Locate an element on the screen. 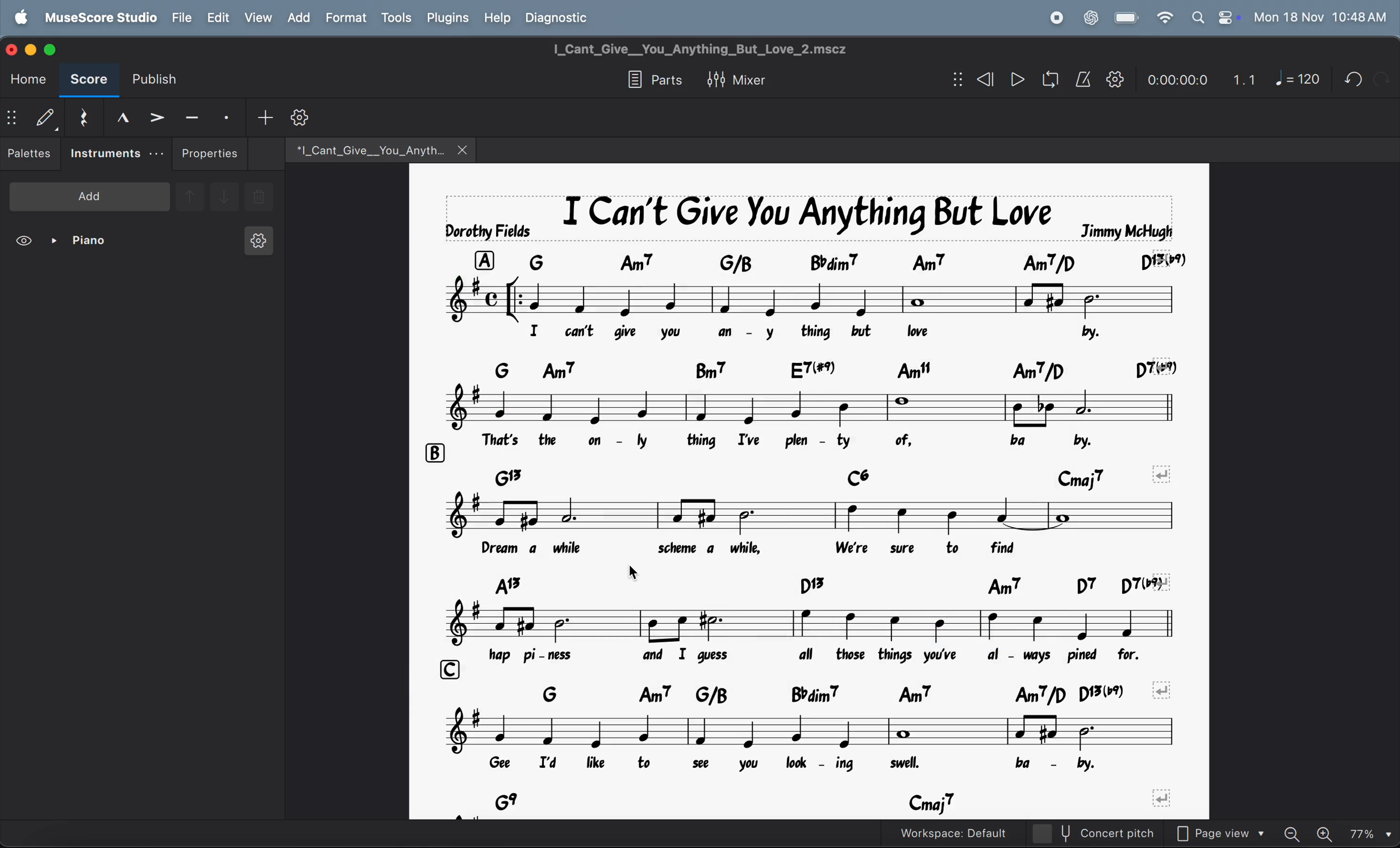 The image size is (1400, 848). rows is located at coordinates (434, 450).